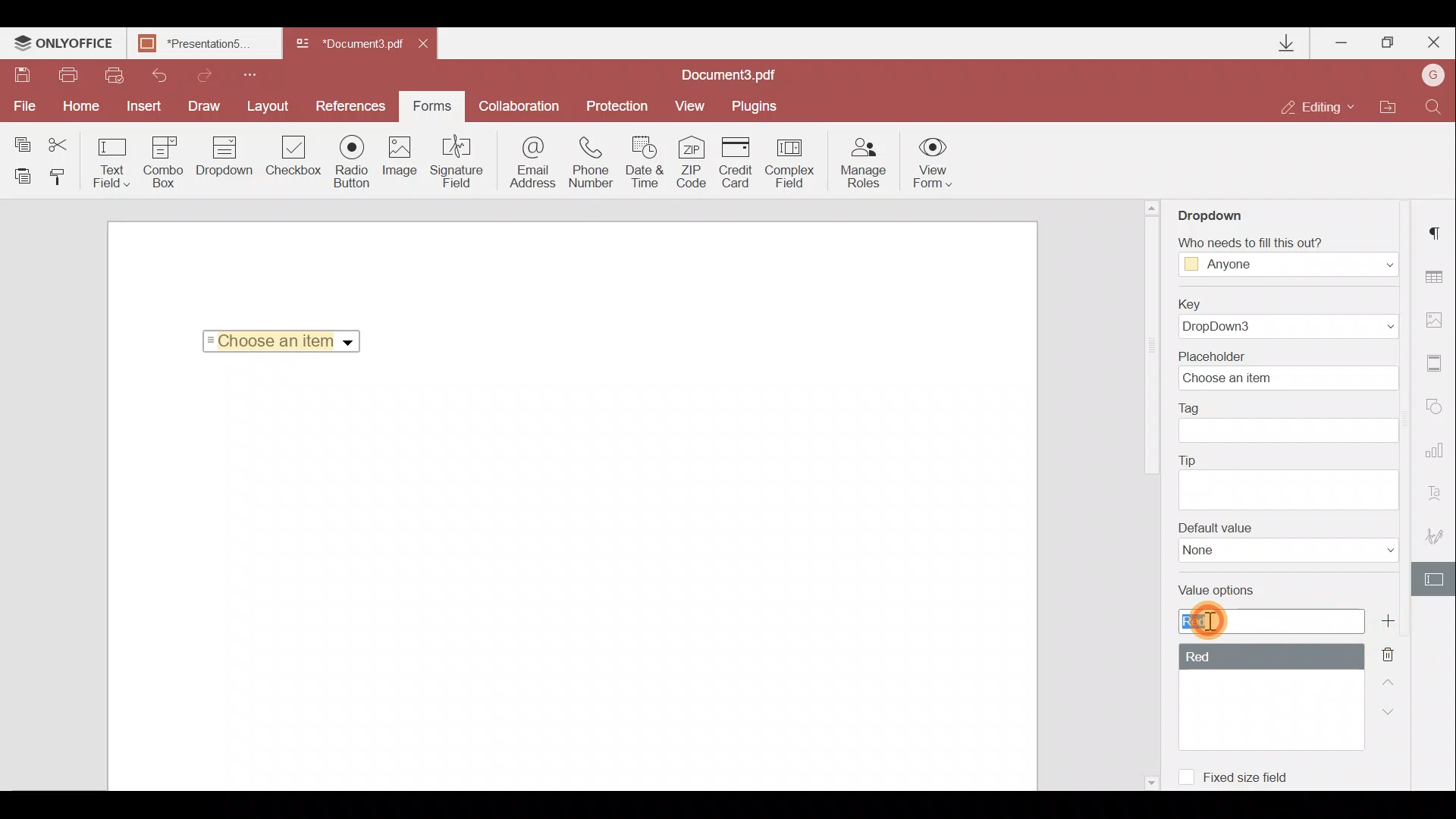  I want to click on Tip, so click(1288, 480).